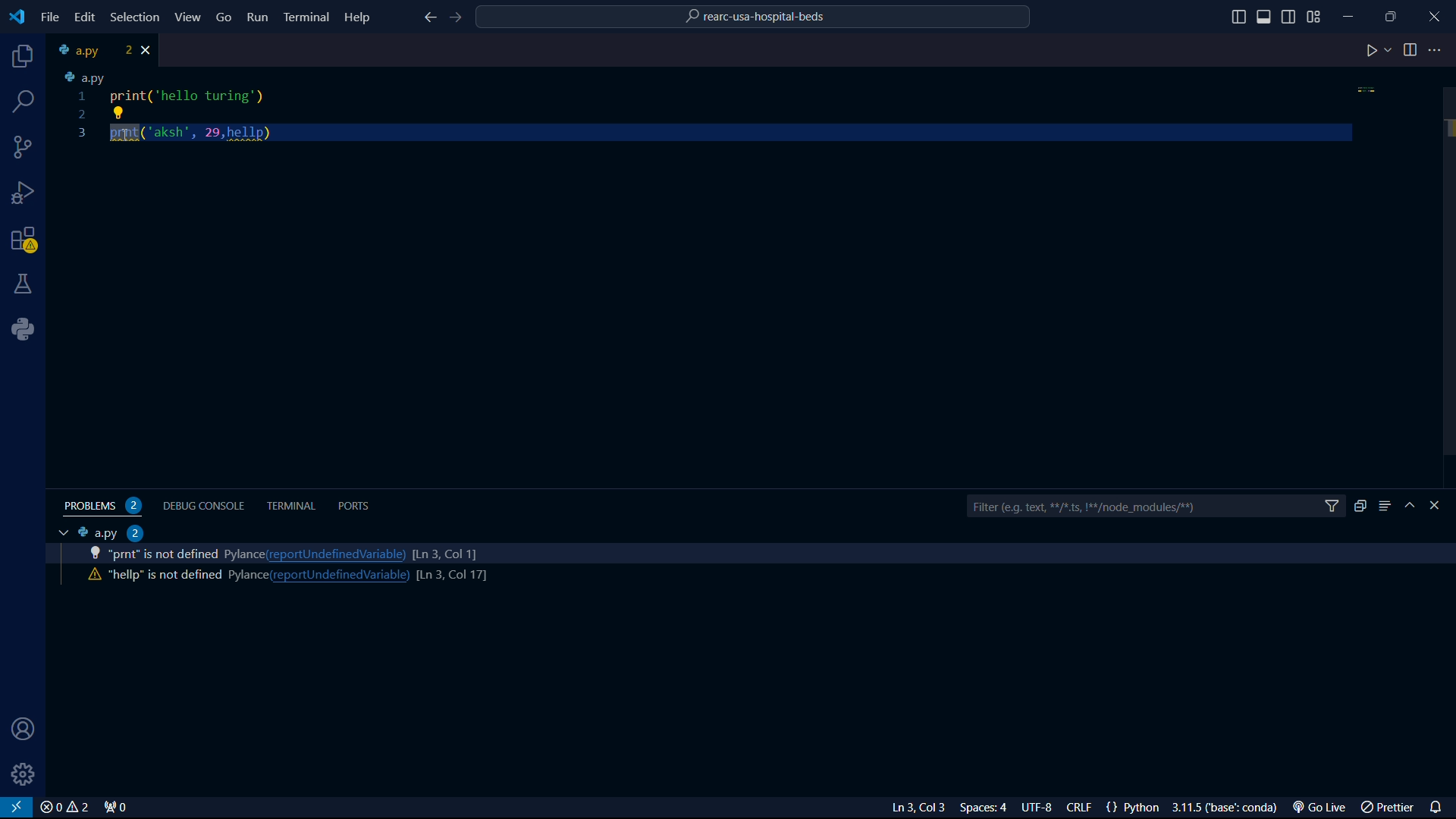 The height and width of the screenshot is (819, 1456). I want to click on hide, so click(1412, 507).